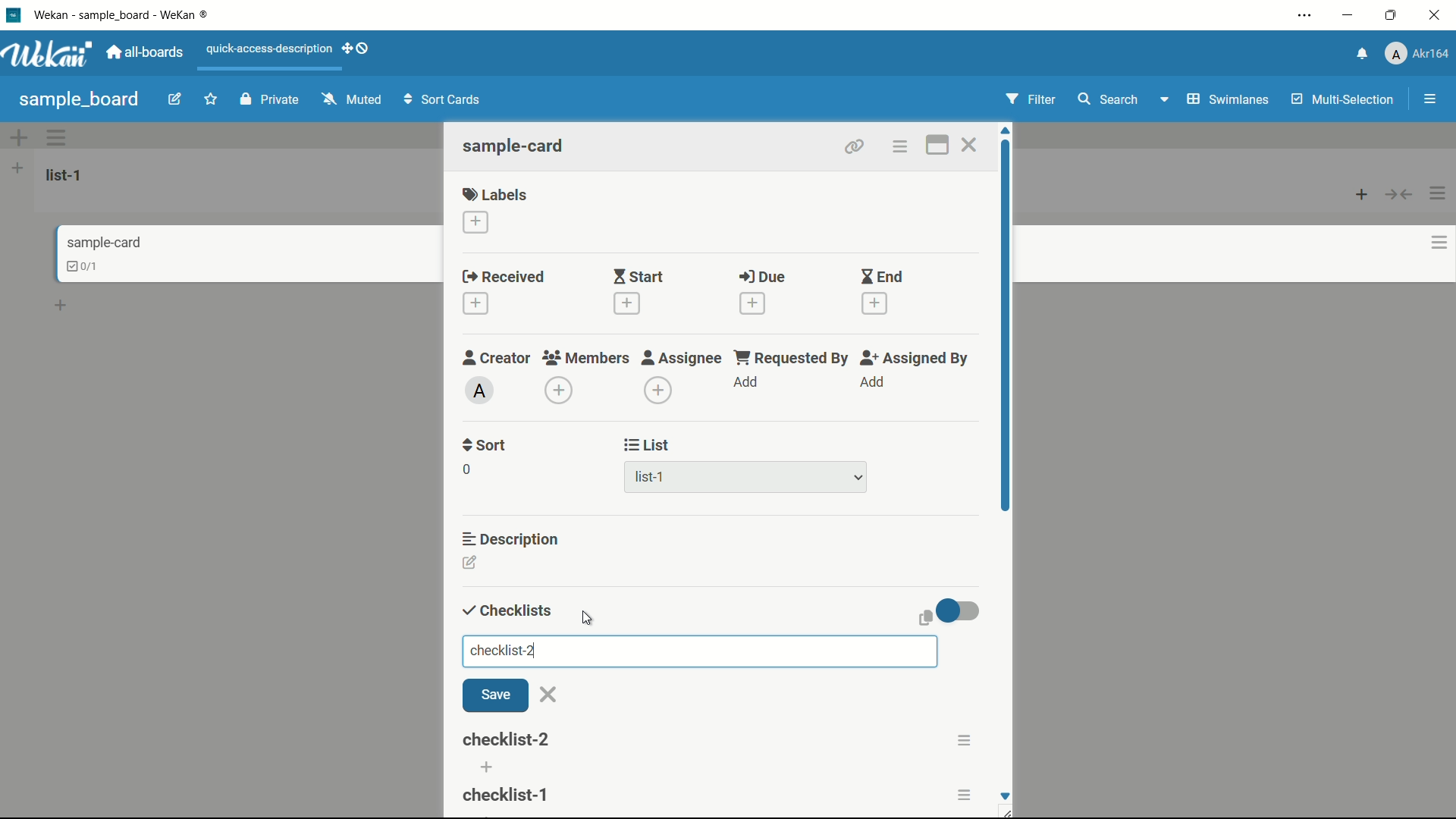 This screenshot has height=819, width=1456. What do you see at coordinates (916, 358) in the screenshot?
I see `assigned by` at bounding box center [916, 358].